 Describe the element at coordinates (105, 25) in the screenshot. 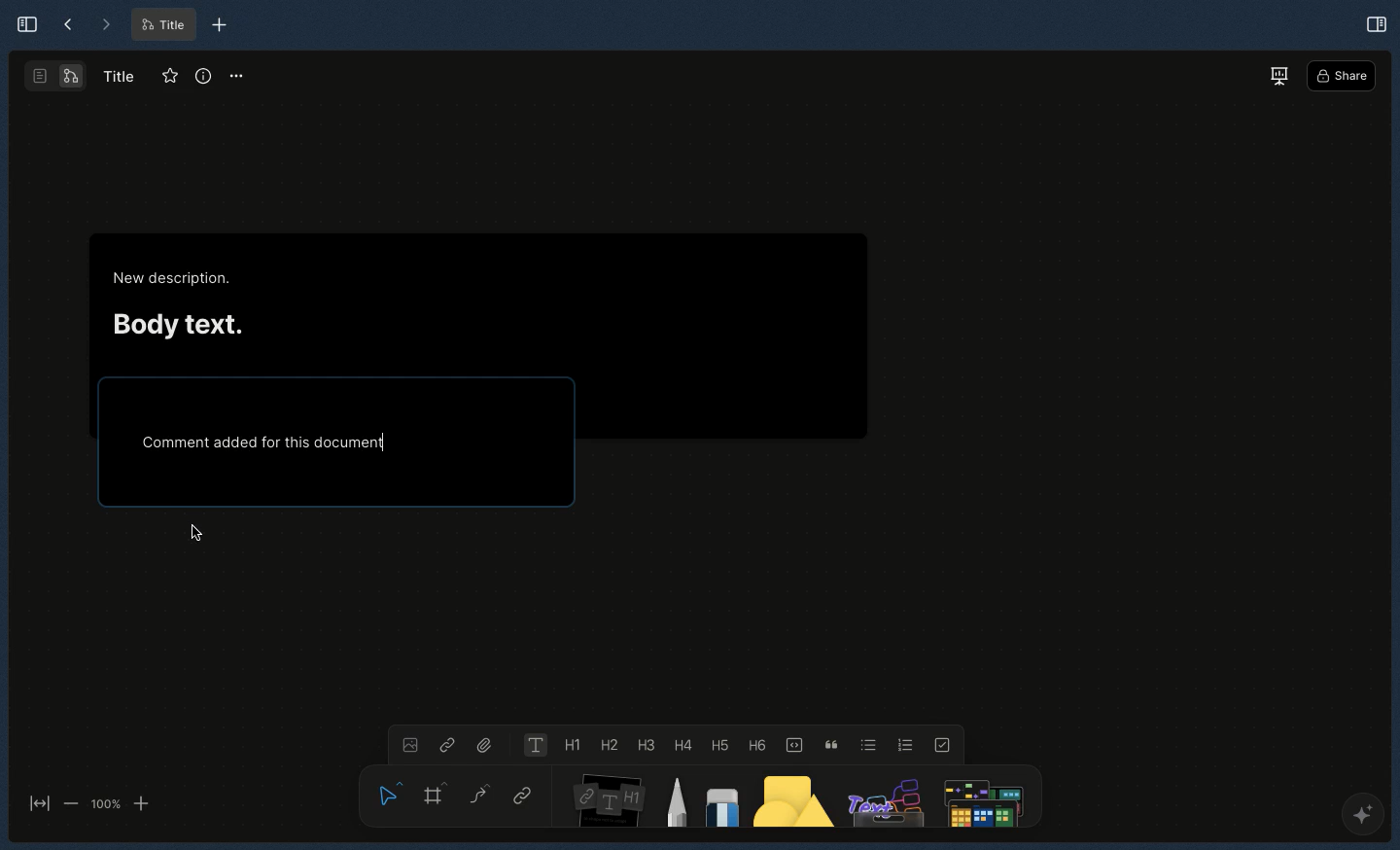

I see `Forward` at that location.